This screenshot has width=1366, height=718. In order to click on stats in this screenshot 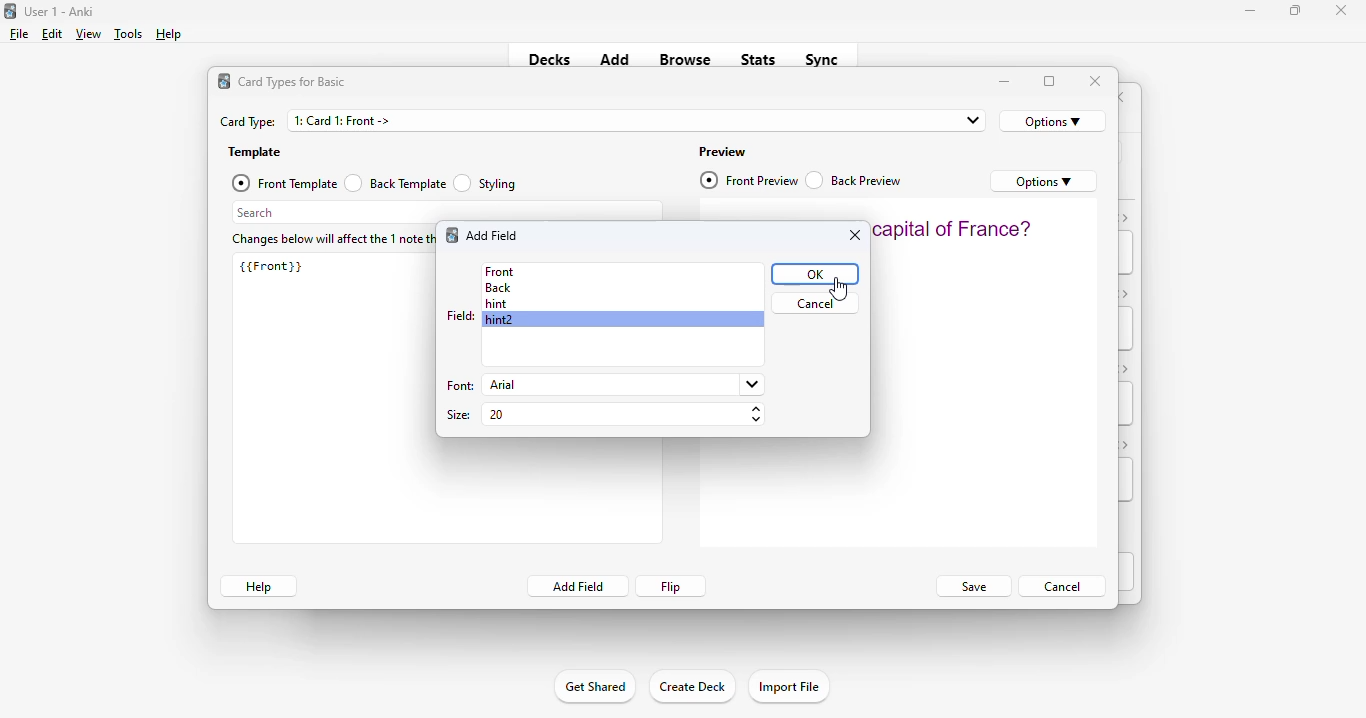, I will do `click(759, 59)`.